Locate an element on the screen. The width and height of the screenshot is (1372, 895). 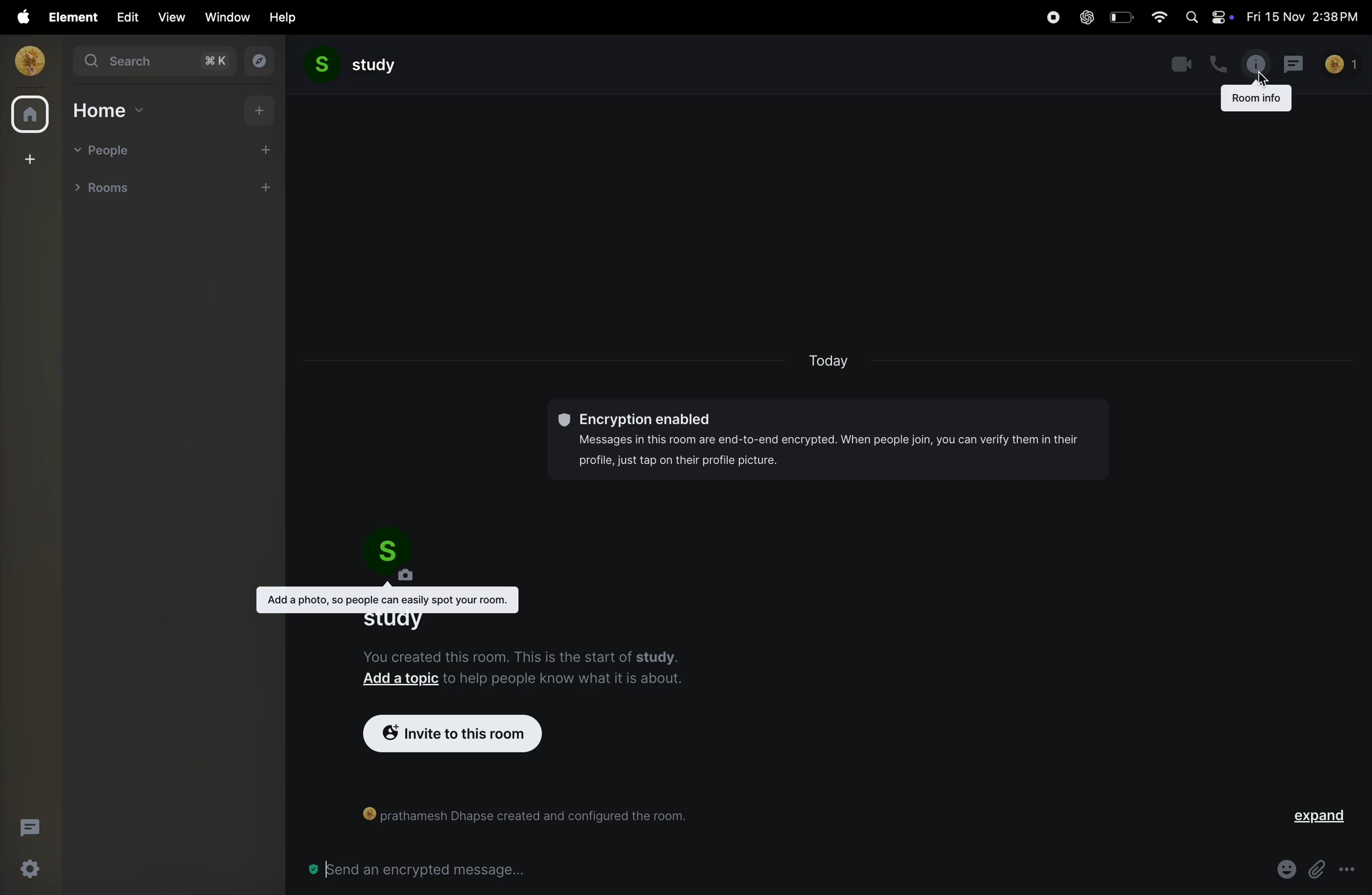
help is located at coordinates (284, 17).